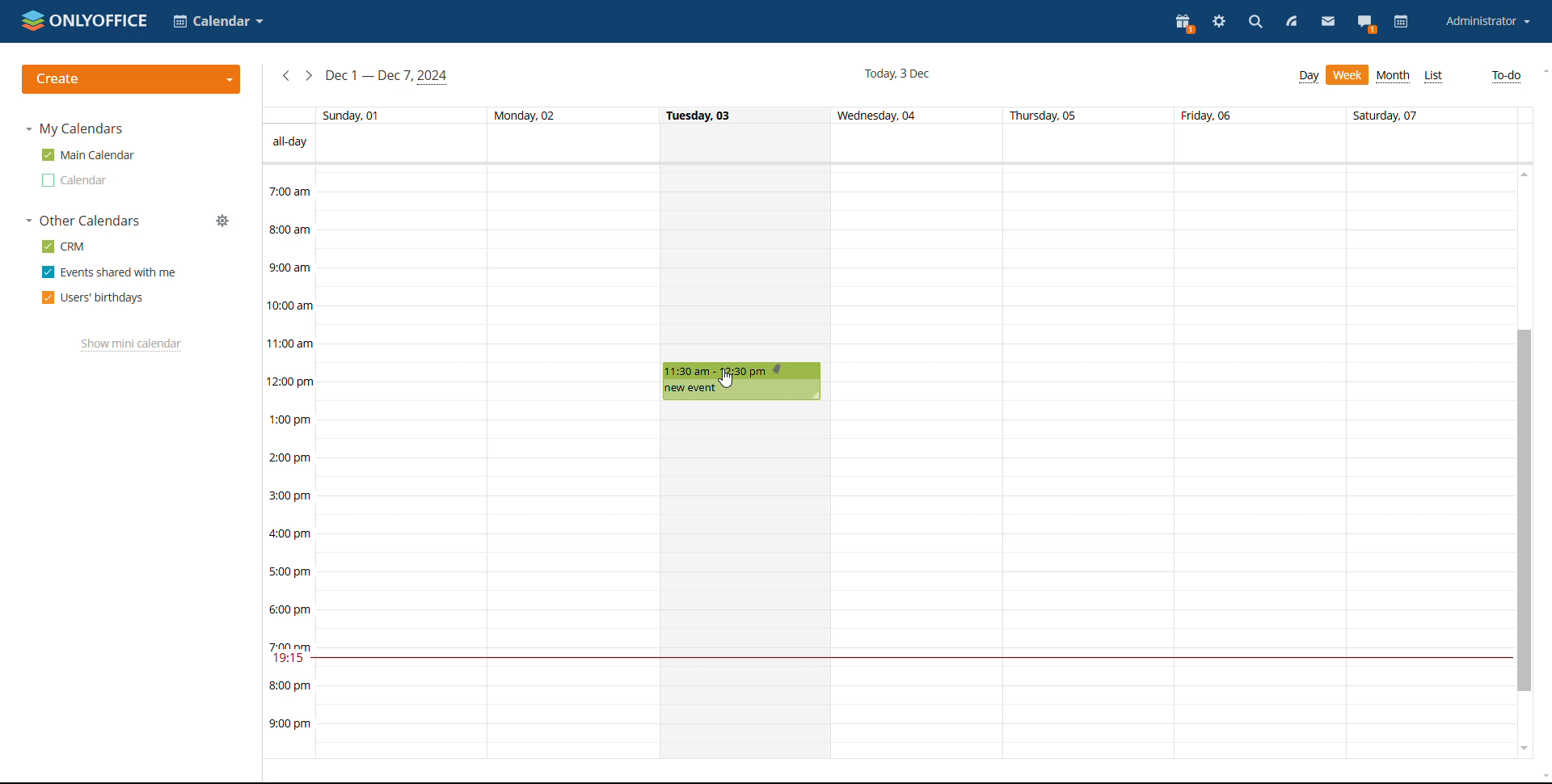 The width and height of the screenshot is (1552, 784). What do you see at coordinates (1435, 77) in the screenshot?
I see `List` at bounding box center [1435, 77].